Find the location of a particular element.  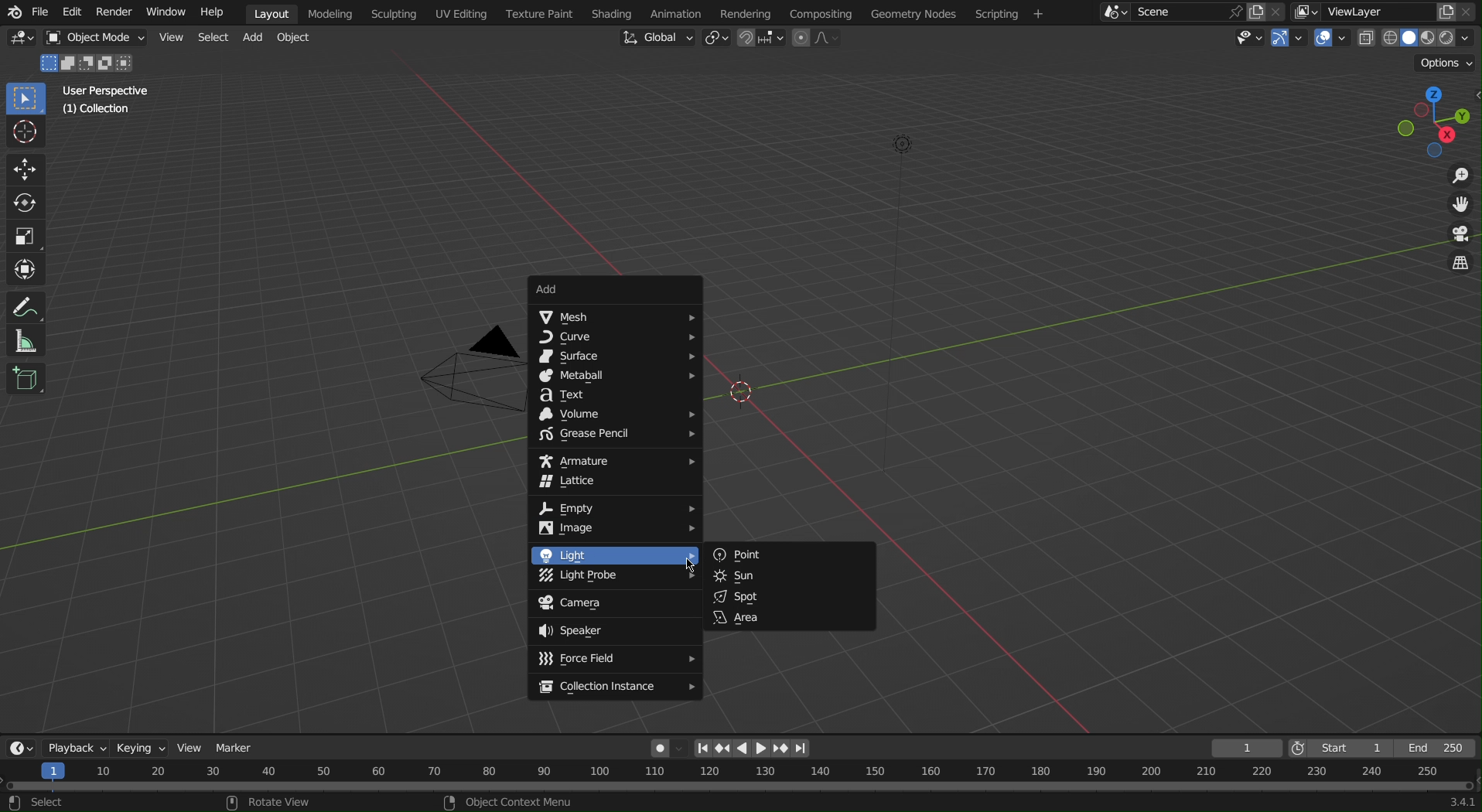

Transform is located at coordinates (28, 270).